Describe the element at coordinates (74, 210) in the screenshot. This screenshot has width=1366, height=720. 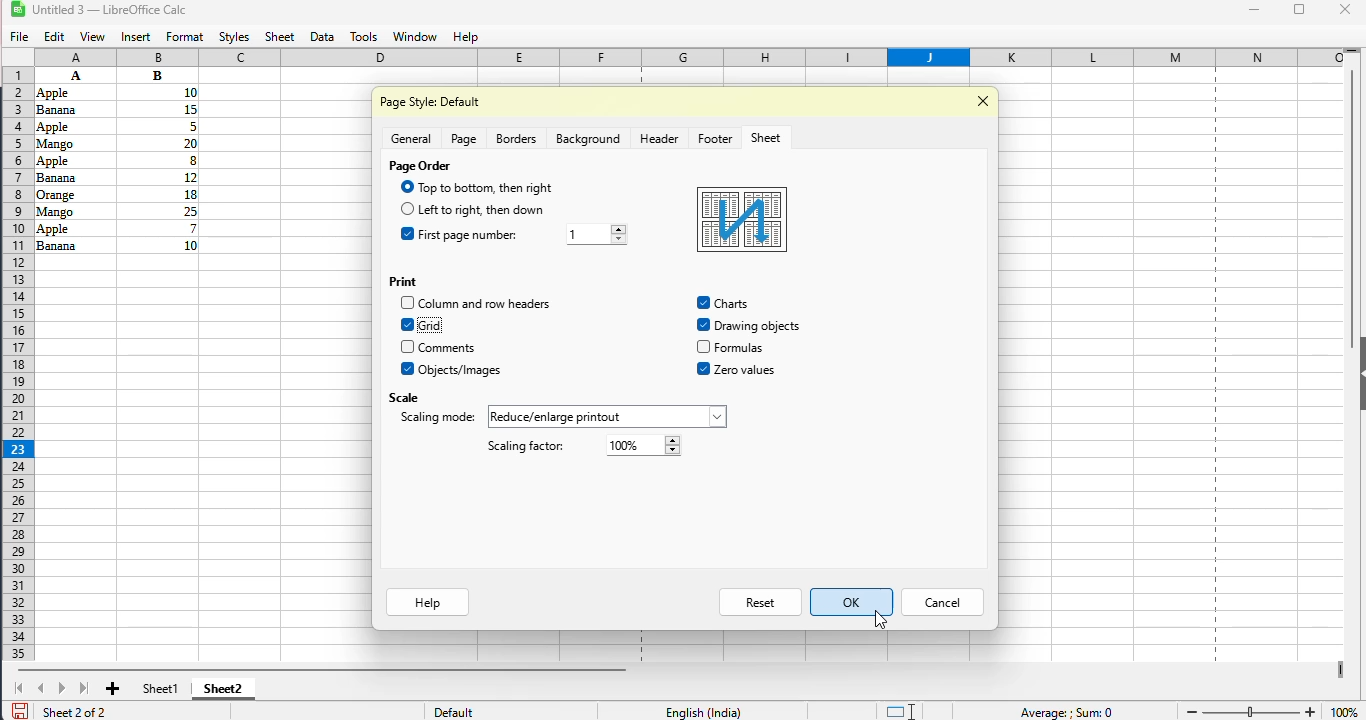
I see `` at that location.